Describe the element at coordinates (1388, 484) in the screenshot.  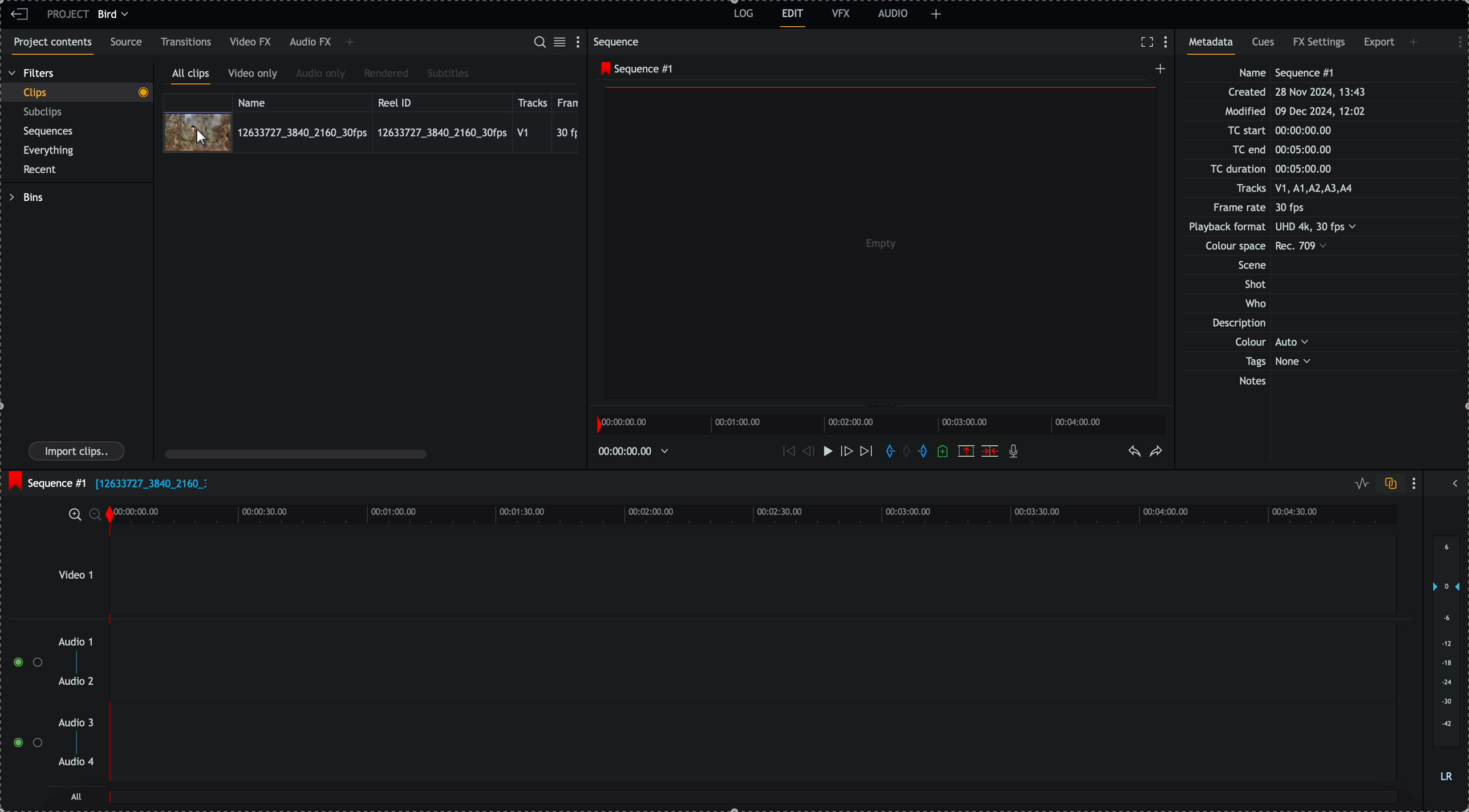
I see `toggle auto track sync` at that location.